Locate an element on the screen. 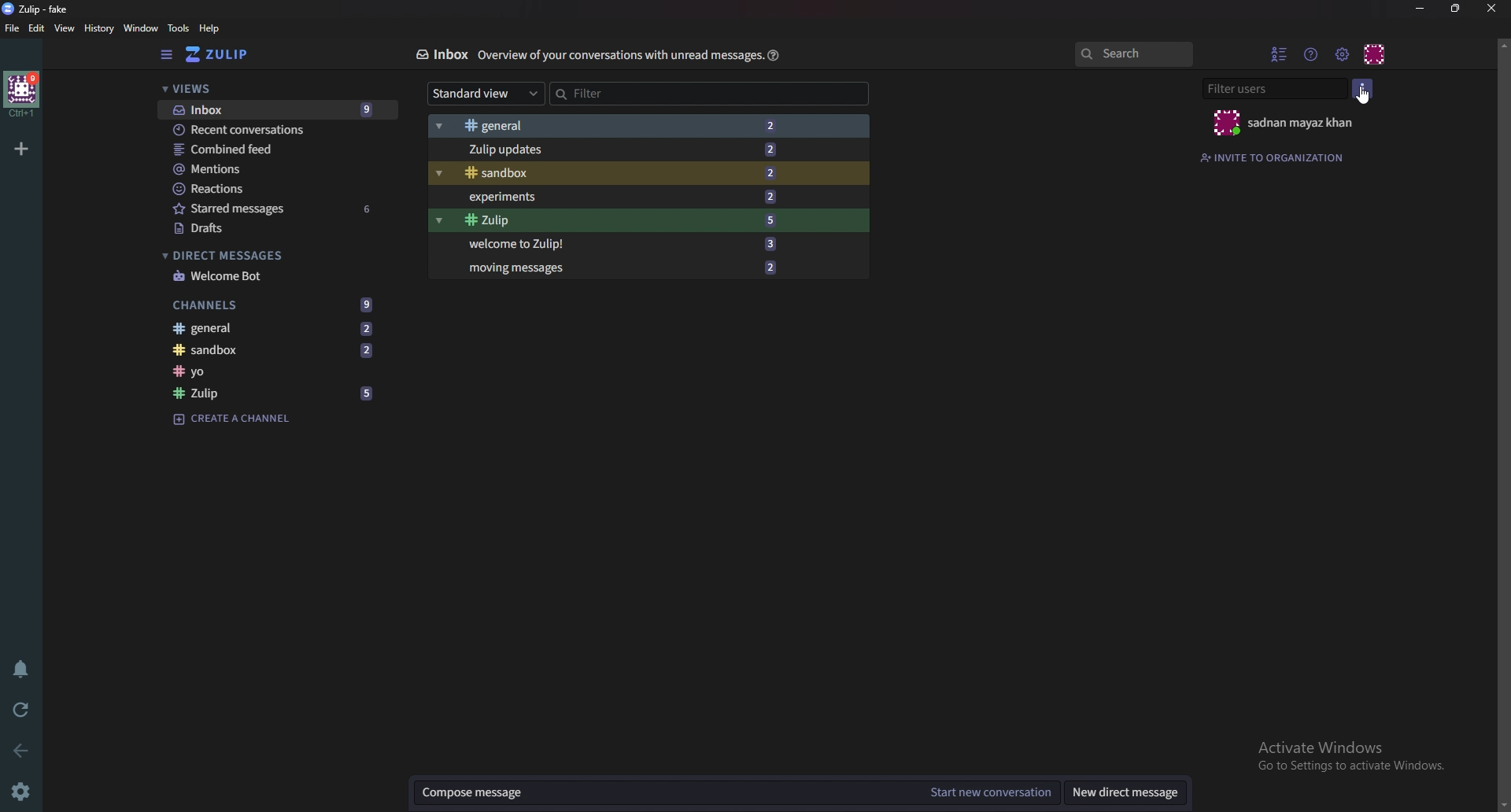  Start new conversation is located at coordinates (992, 792).